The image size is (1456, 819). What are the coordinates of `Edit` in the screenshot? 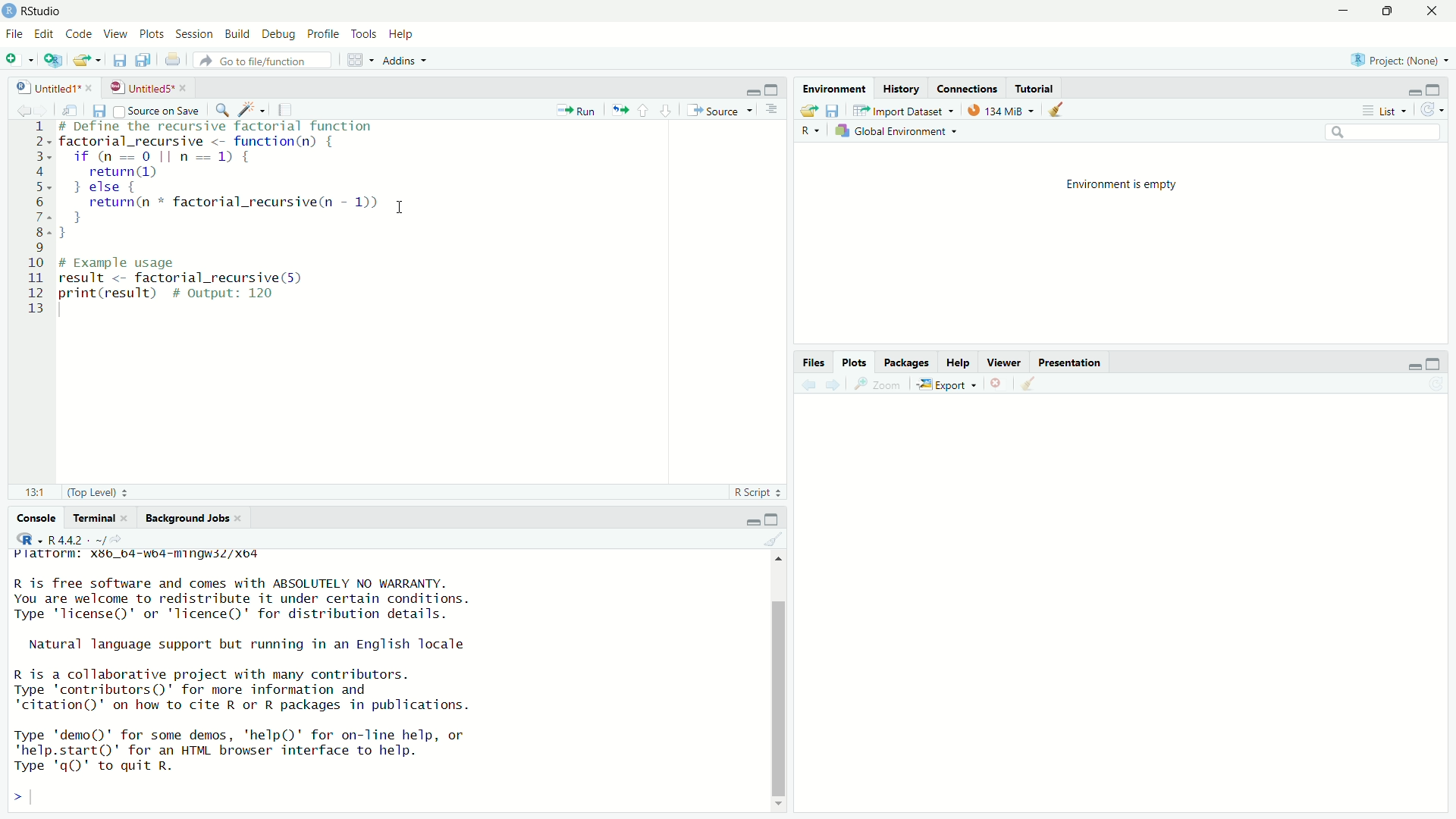 It's located at (43, 33).